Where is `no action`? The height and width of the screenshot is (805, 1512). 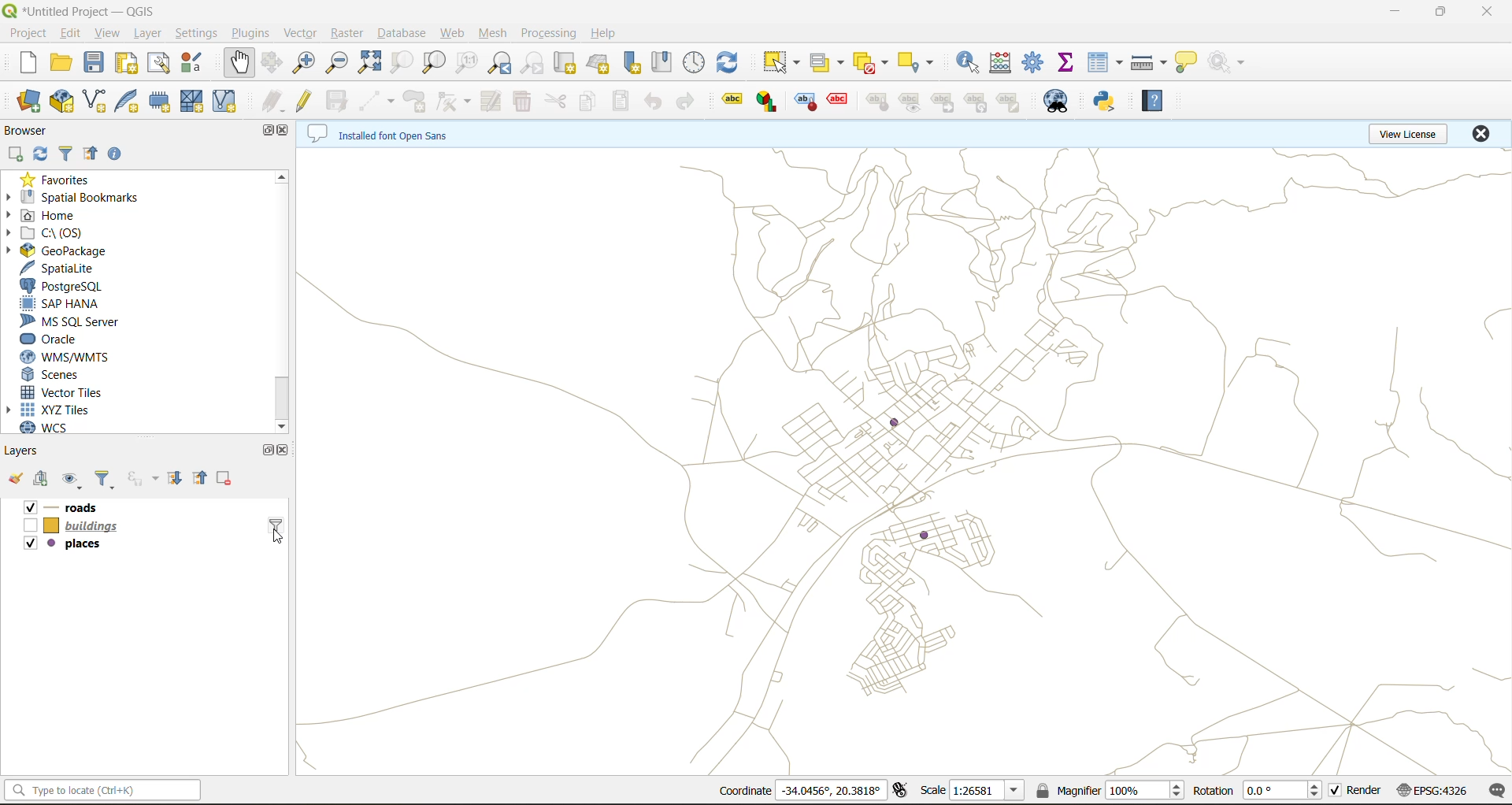 no action is located at coordinates (1231, 63).